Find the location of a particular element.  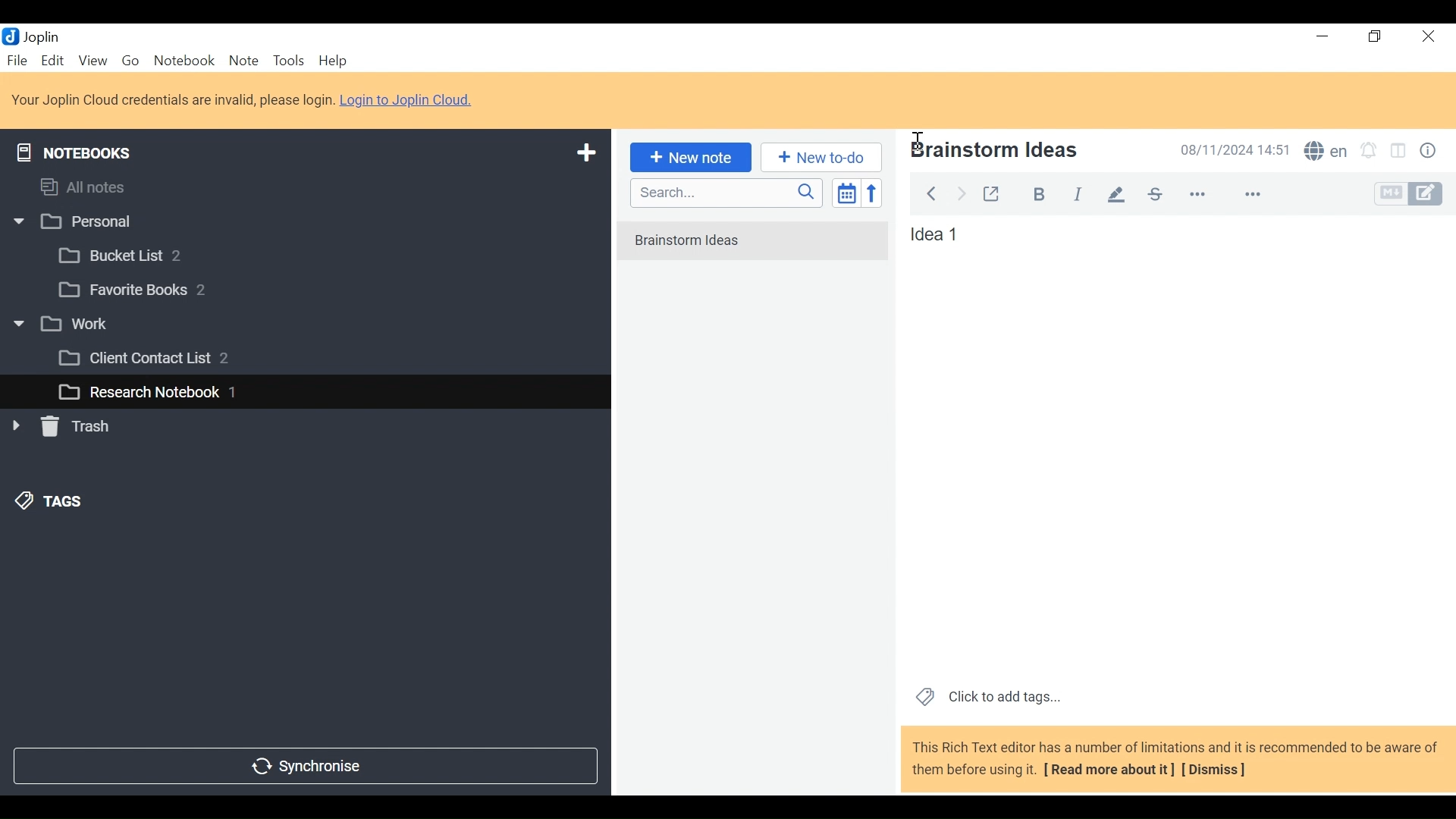

italiac is located at coordinates (1079, 193).